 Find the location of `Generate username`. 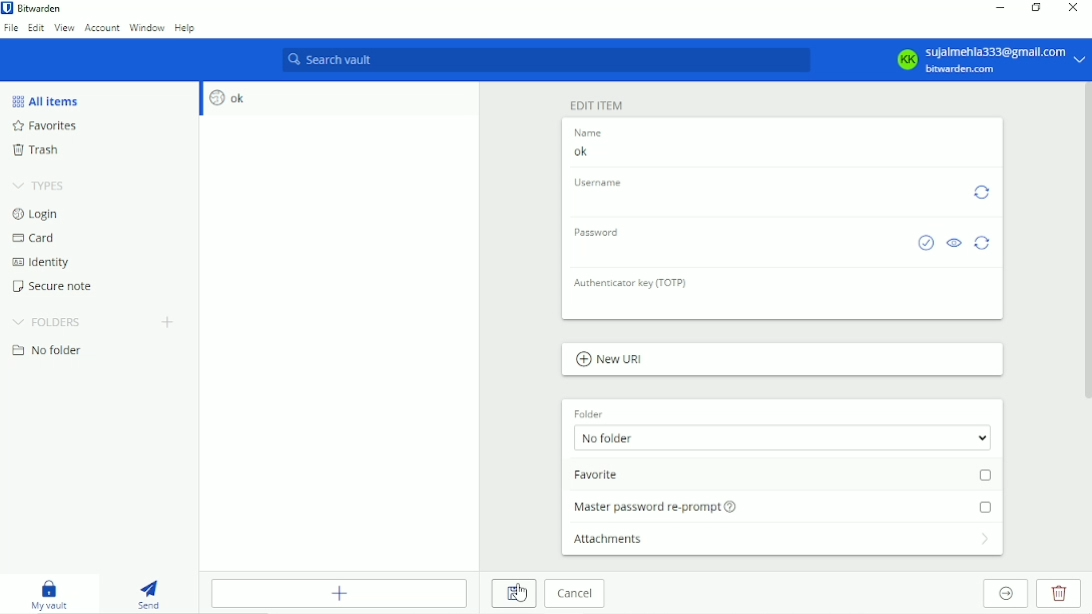

Generate username is located at coordinates (981, 192).